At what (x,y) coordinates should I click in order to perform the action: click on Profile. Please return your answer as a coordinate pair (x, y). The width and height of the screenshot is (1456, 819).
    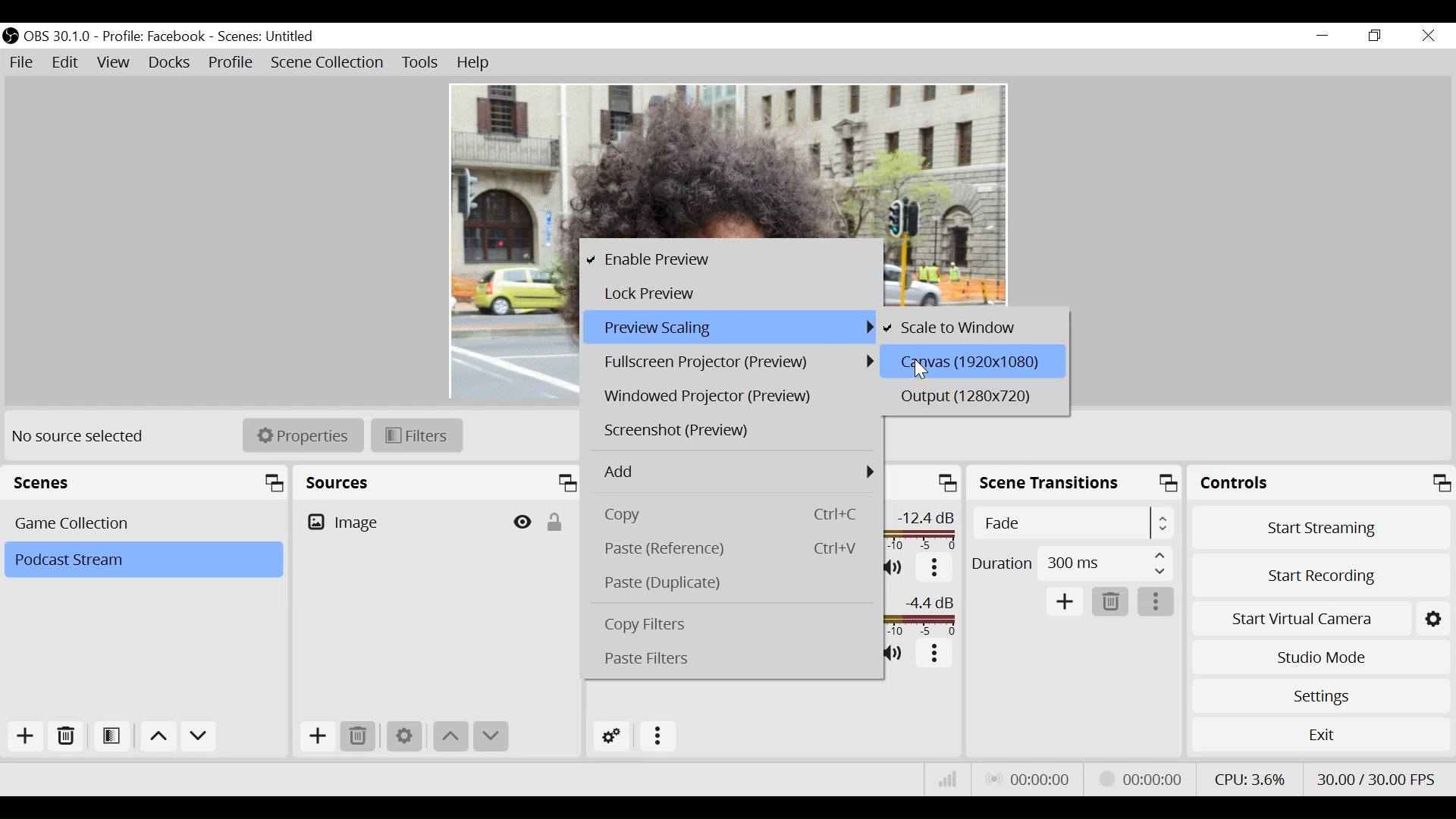
    Looking at the image, I should click on (233, 64).